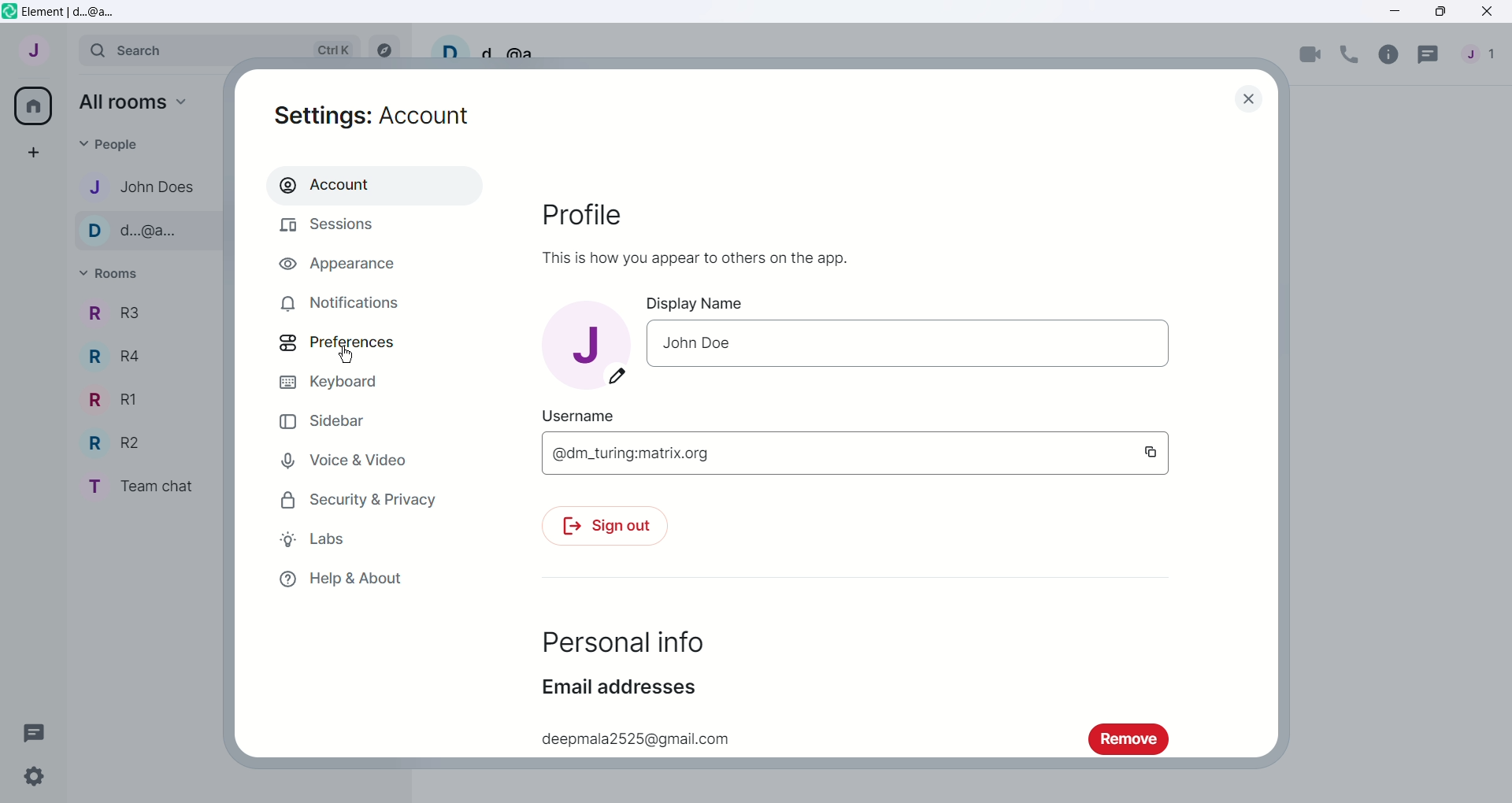 This screenshot has height=803, width=1512. What do you see at coordinates (113, 146) in the screenshot?
I see `People ` at bounding box center [113, 146].